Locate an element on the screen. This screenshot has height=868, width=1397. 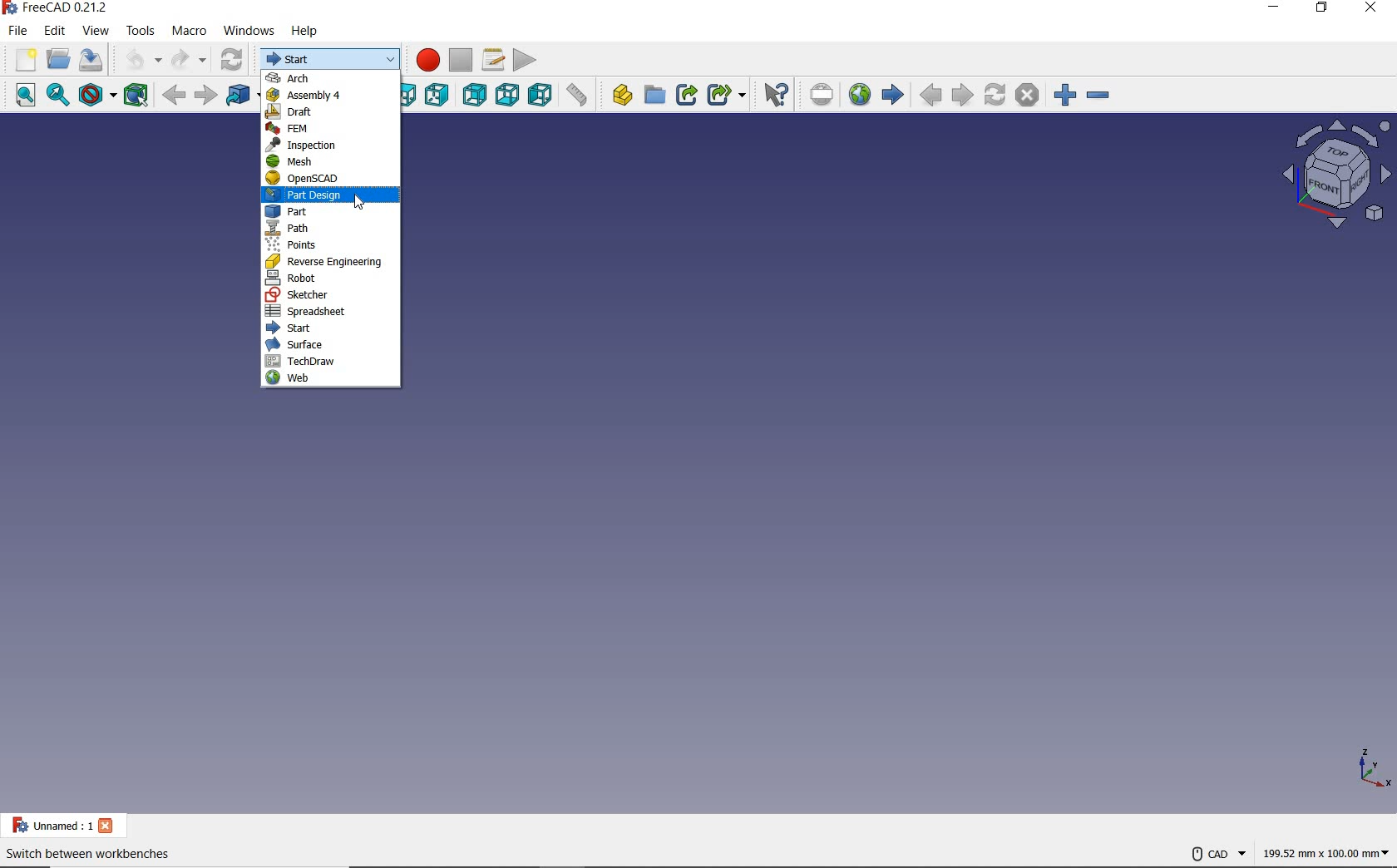
BACK is located at coordinates (175, 94).